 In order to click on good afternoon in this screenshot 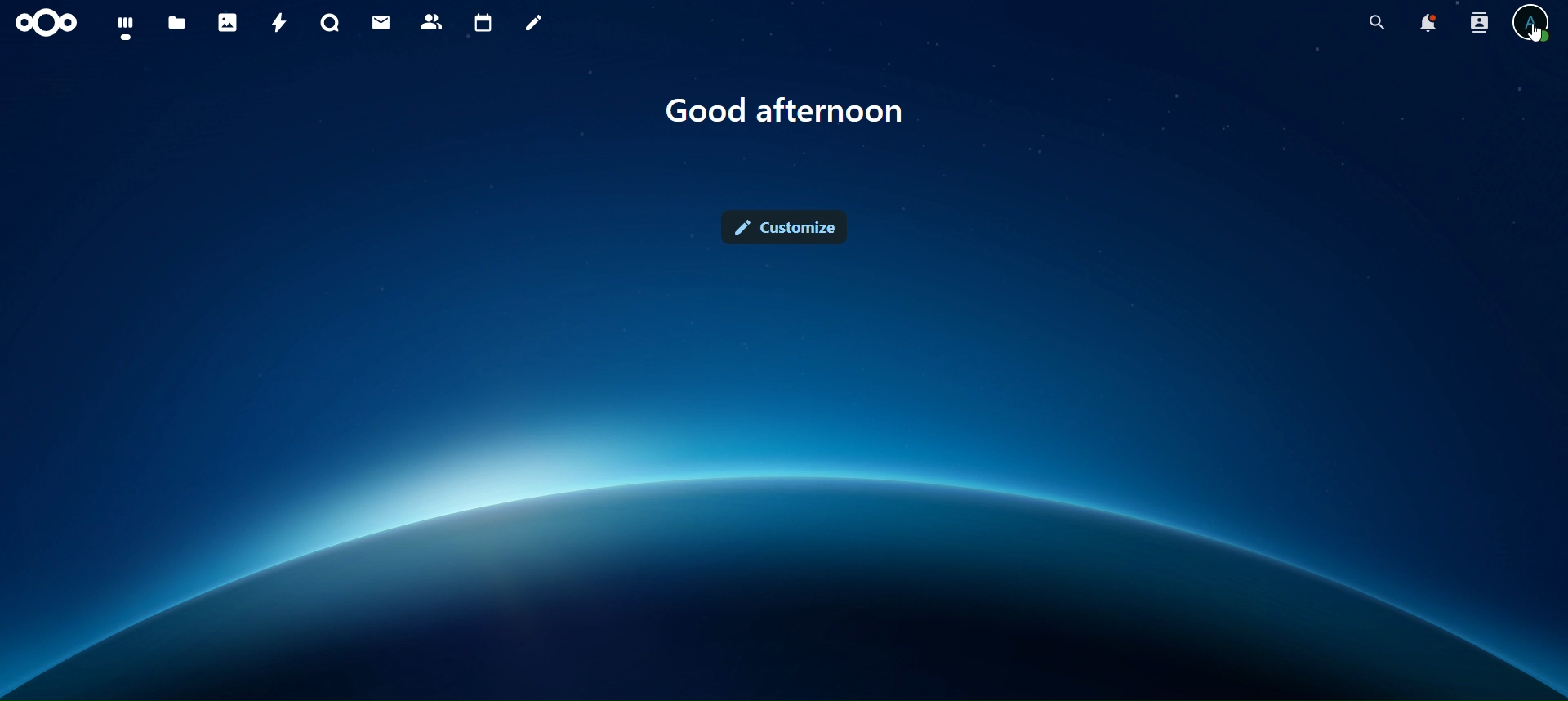, I will do `click(782, 113)`.